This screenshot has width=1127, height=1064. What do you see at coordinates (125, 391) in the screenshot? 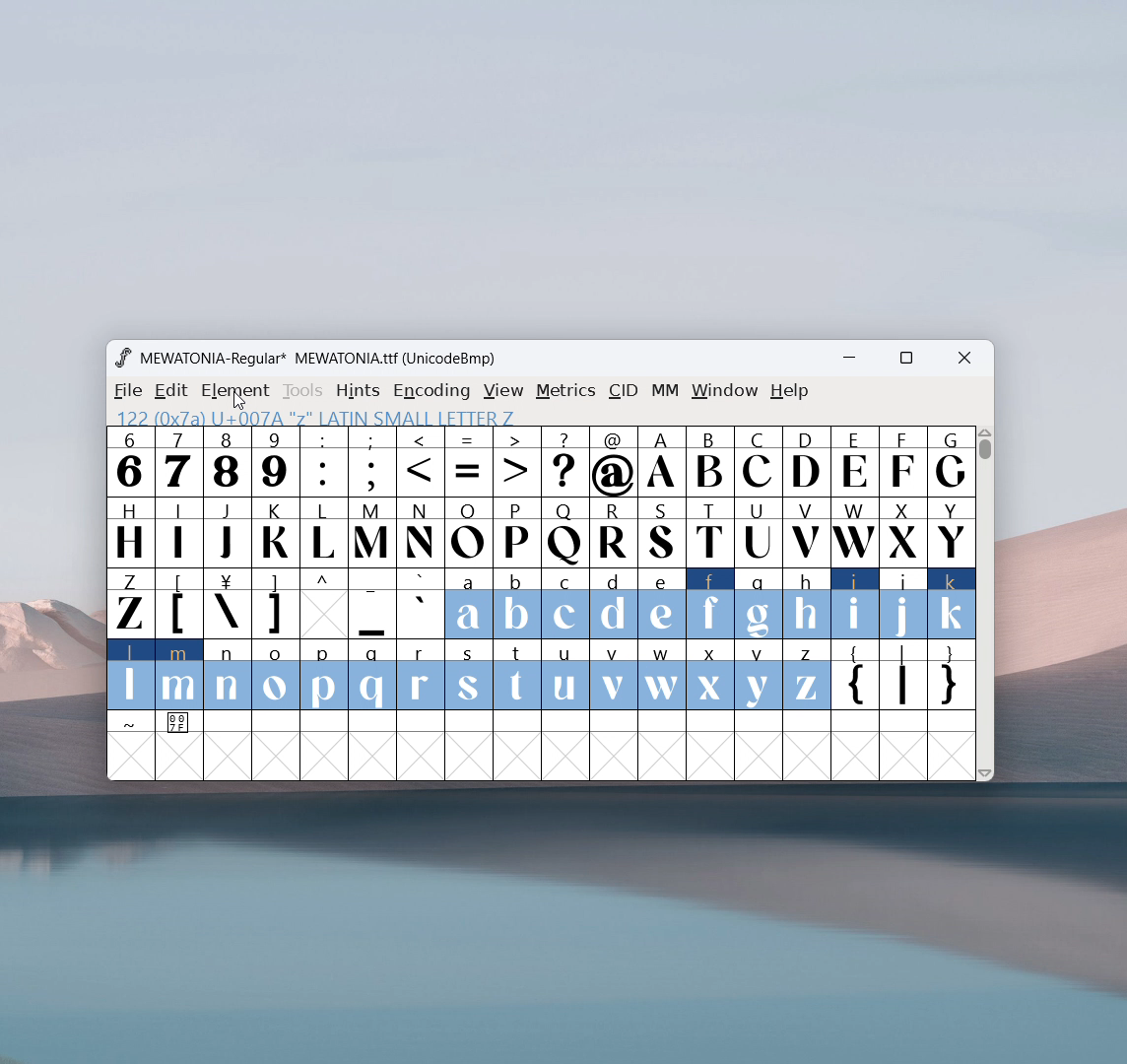
I see `file` at bounding box center [125, 391].